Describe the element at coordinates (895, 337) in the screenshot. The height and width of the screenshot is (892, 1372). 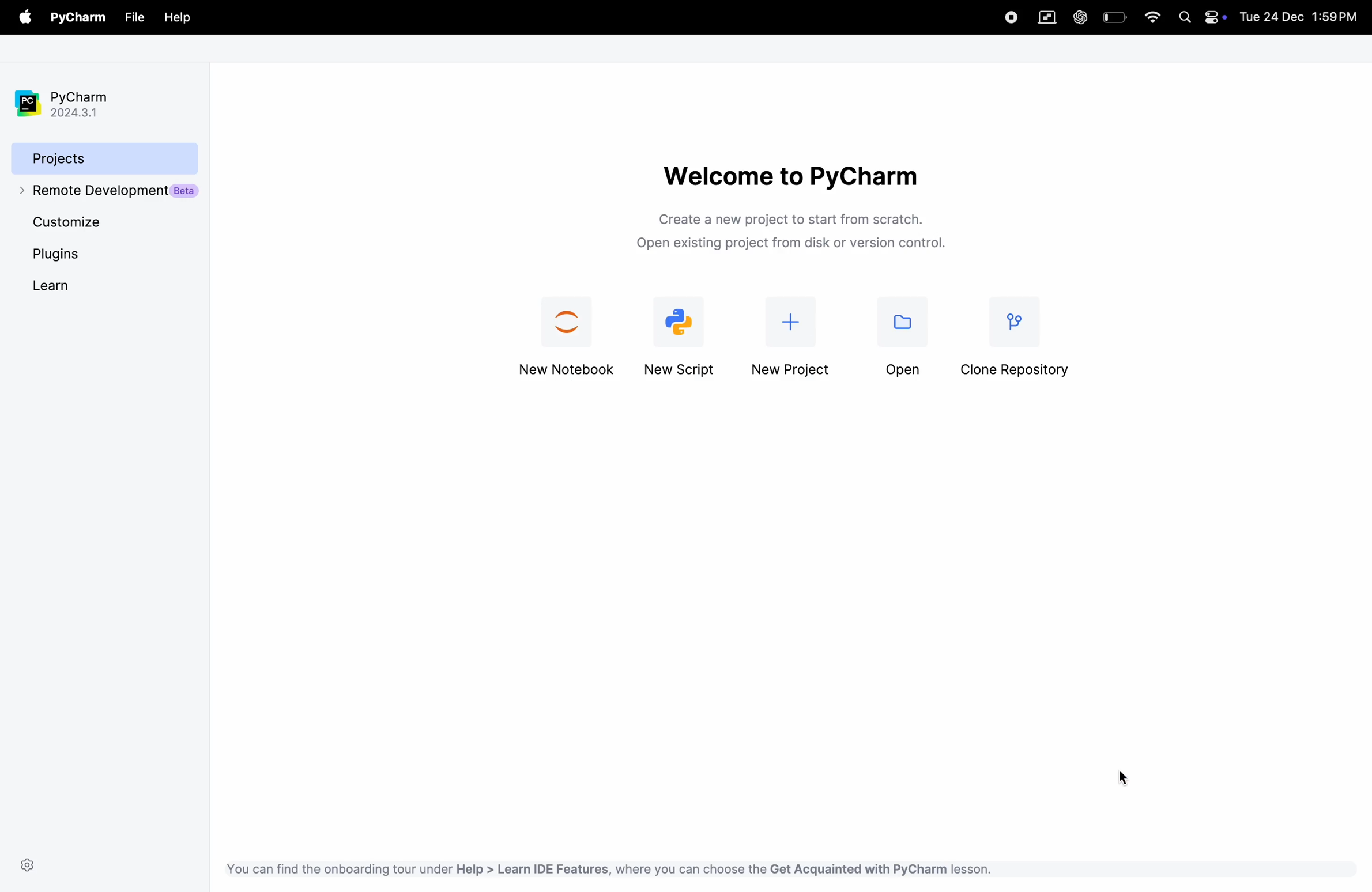
I see `open` at that location.